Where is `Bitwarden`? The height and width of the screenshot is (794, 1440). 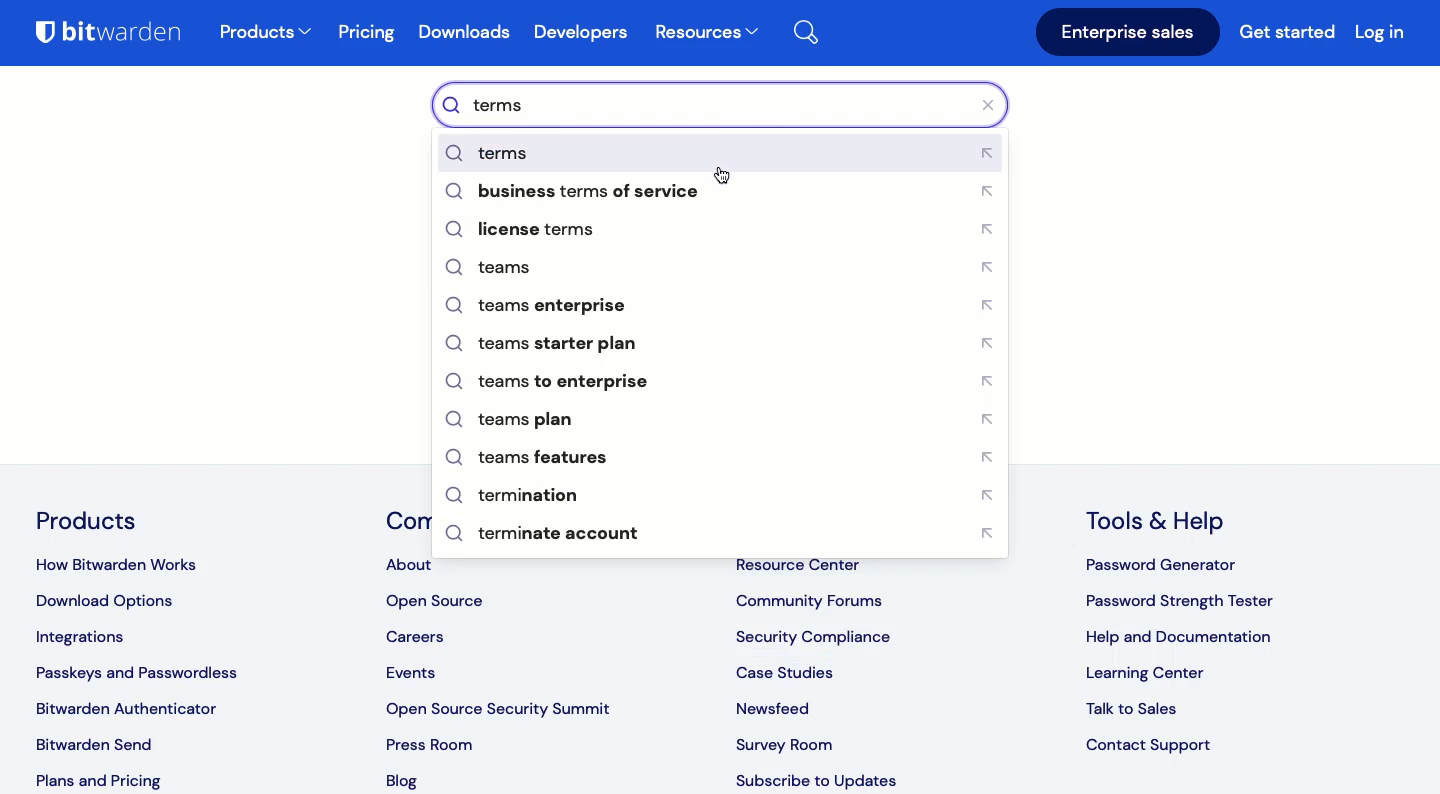
Bitwarden is located at coordinates (117, 36).